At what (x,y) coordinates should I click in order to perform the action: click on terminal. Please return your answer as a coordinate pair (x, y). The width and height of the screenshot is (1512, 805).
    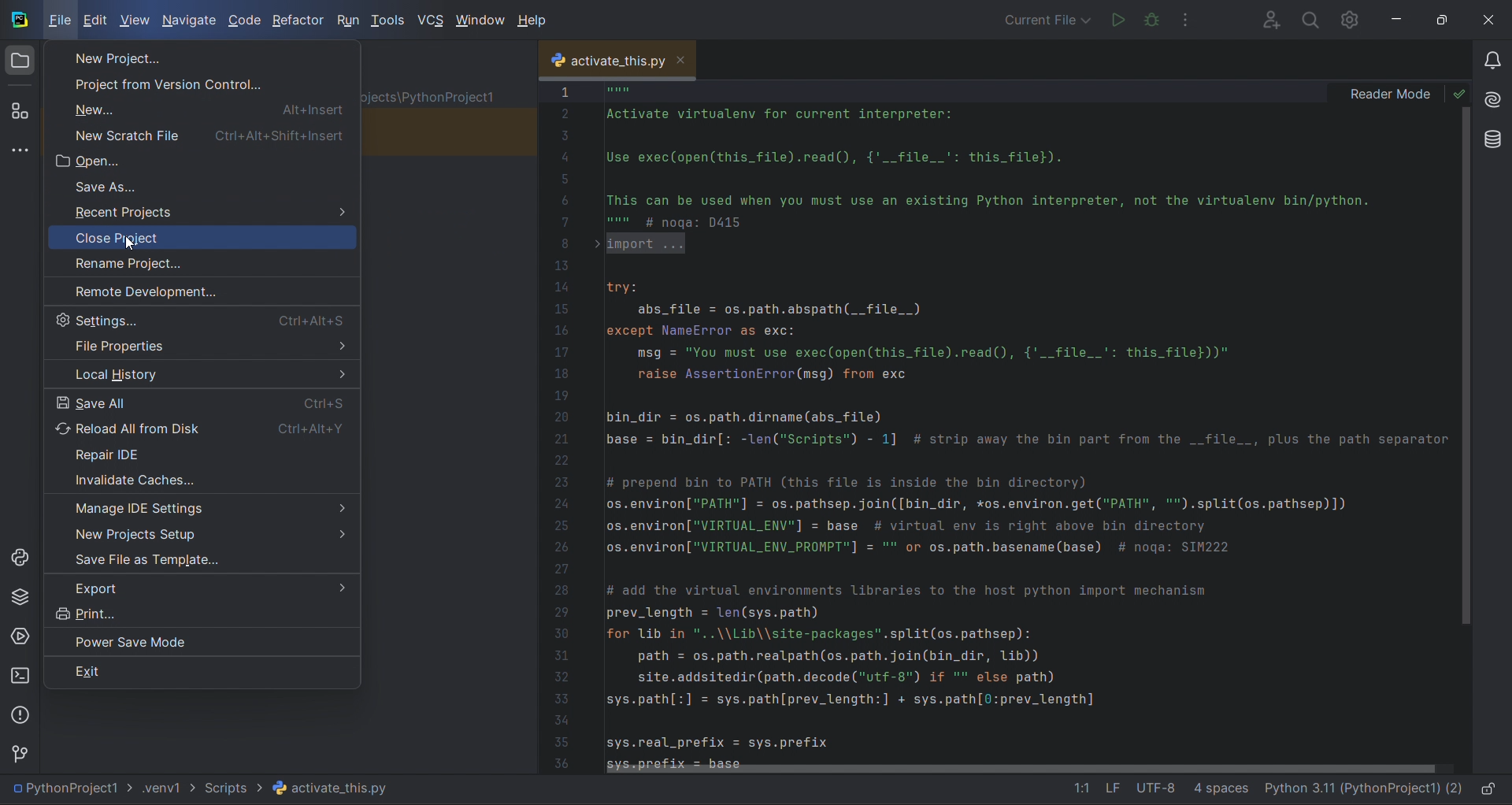
    Looking at the image, I should click on (23, 679).